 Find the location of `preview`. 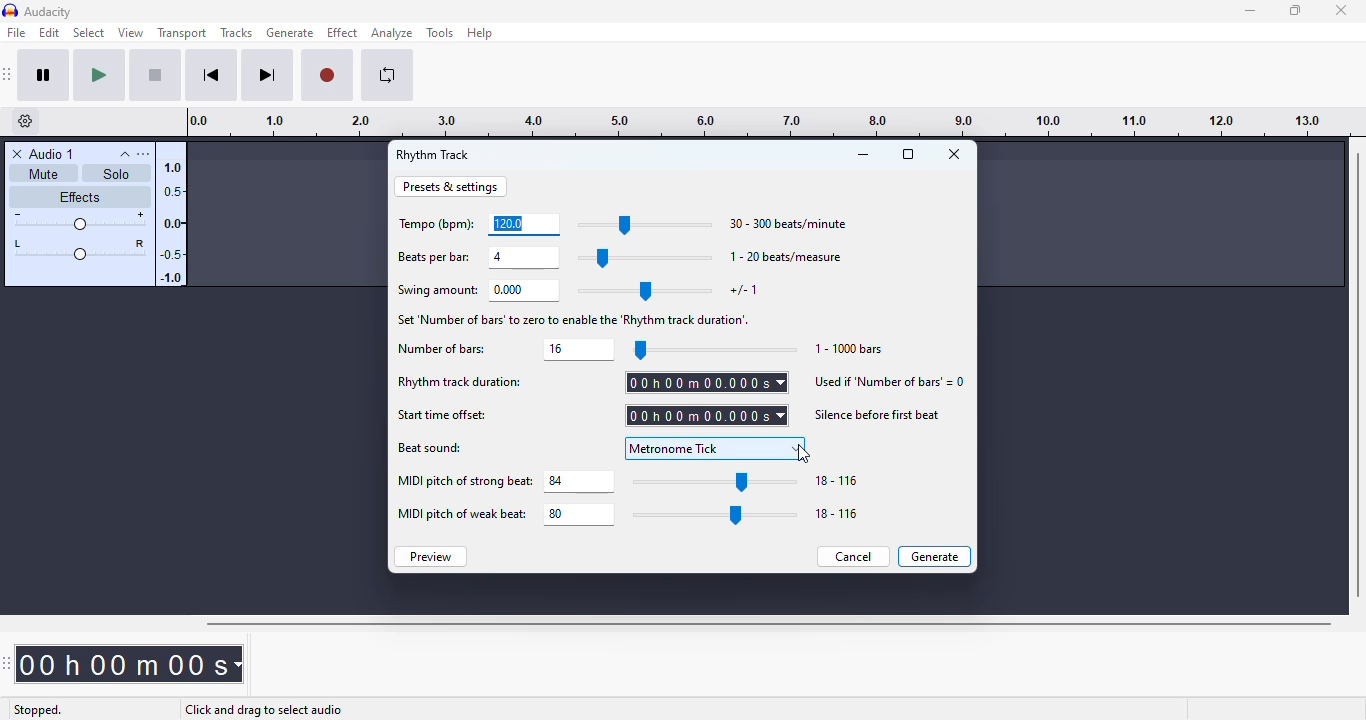

preview is located at coordinates (431, 556).